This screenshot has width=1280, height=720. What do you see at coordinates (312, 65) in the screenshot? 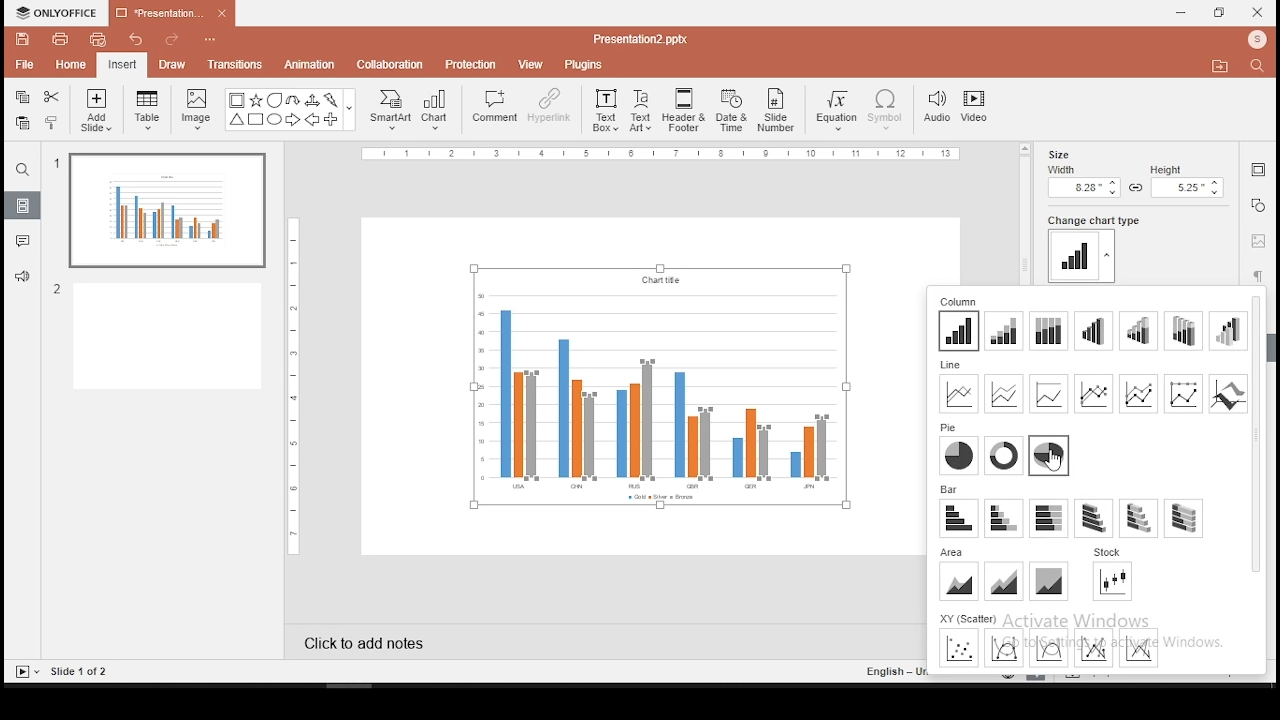
I see `animation` at bounding box center [312, 65].